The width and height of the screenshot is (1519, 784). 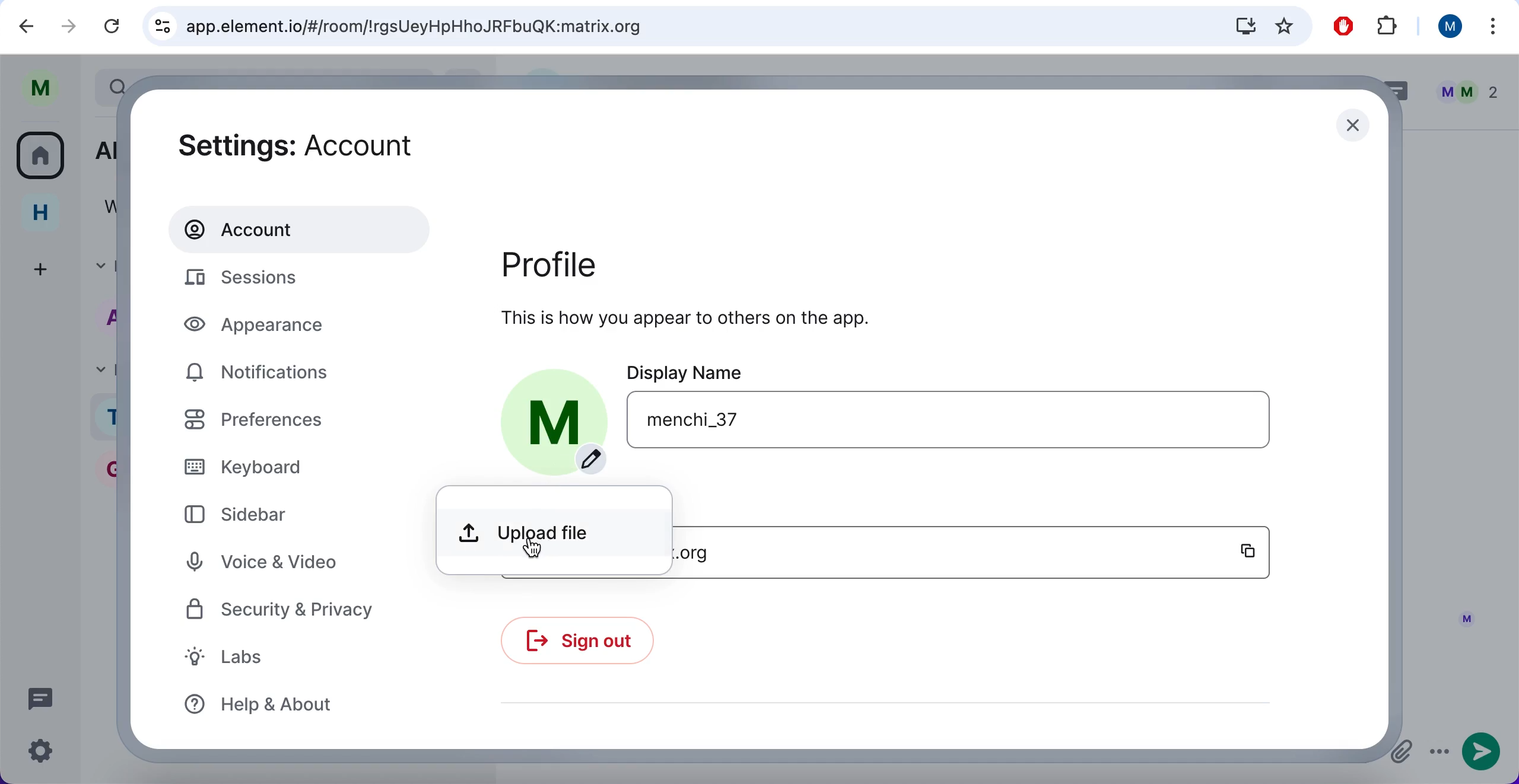 I want to click on settings: account, so click(x=322, y=145).